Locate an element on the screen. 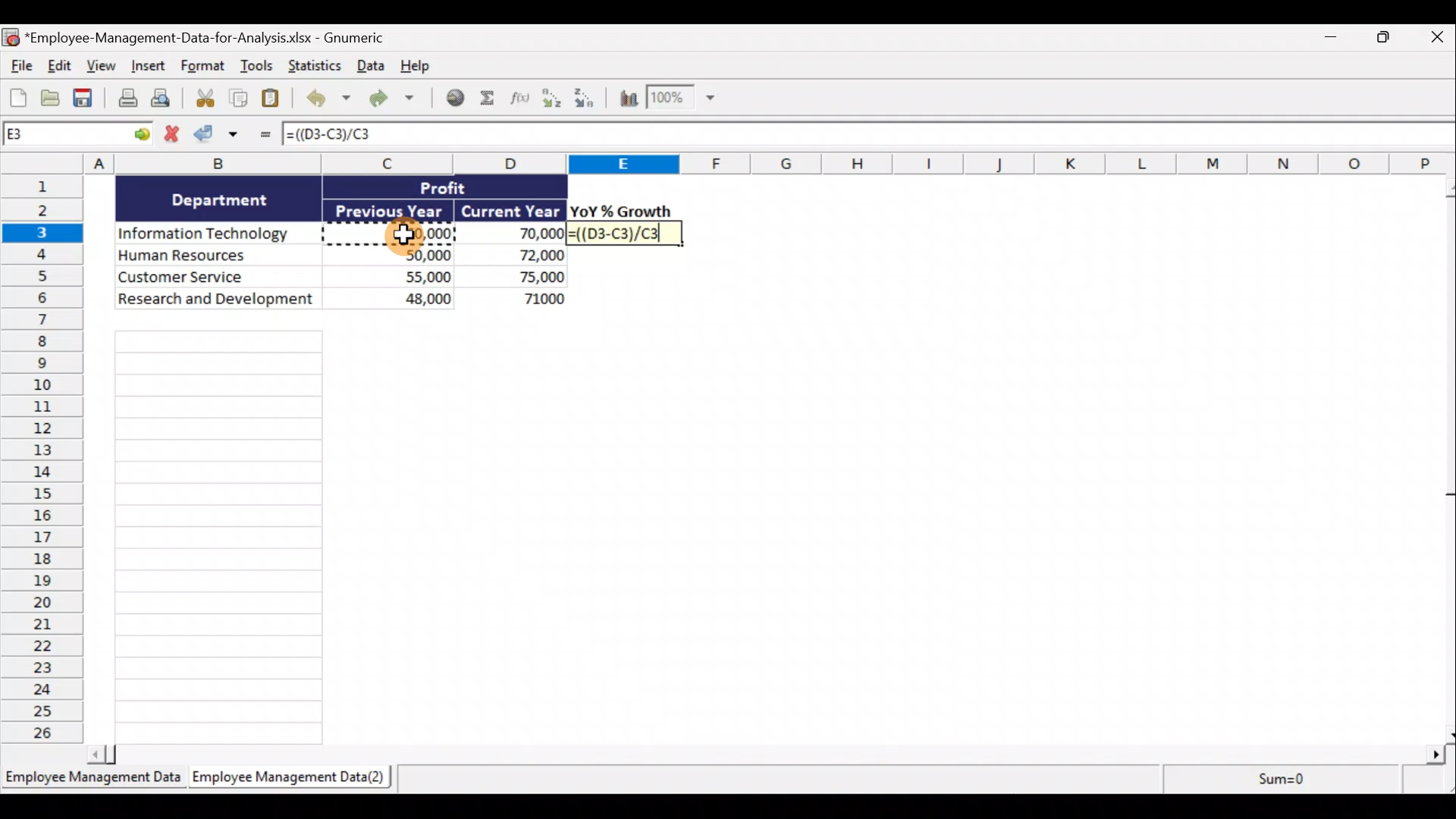 The height and width of the screenshot is (819, 1456). Sum into the current cell is located at coordinates (491, 99).